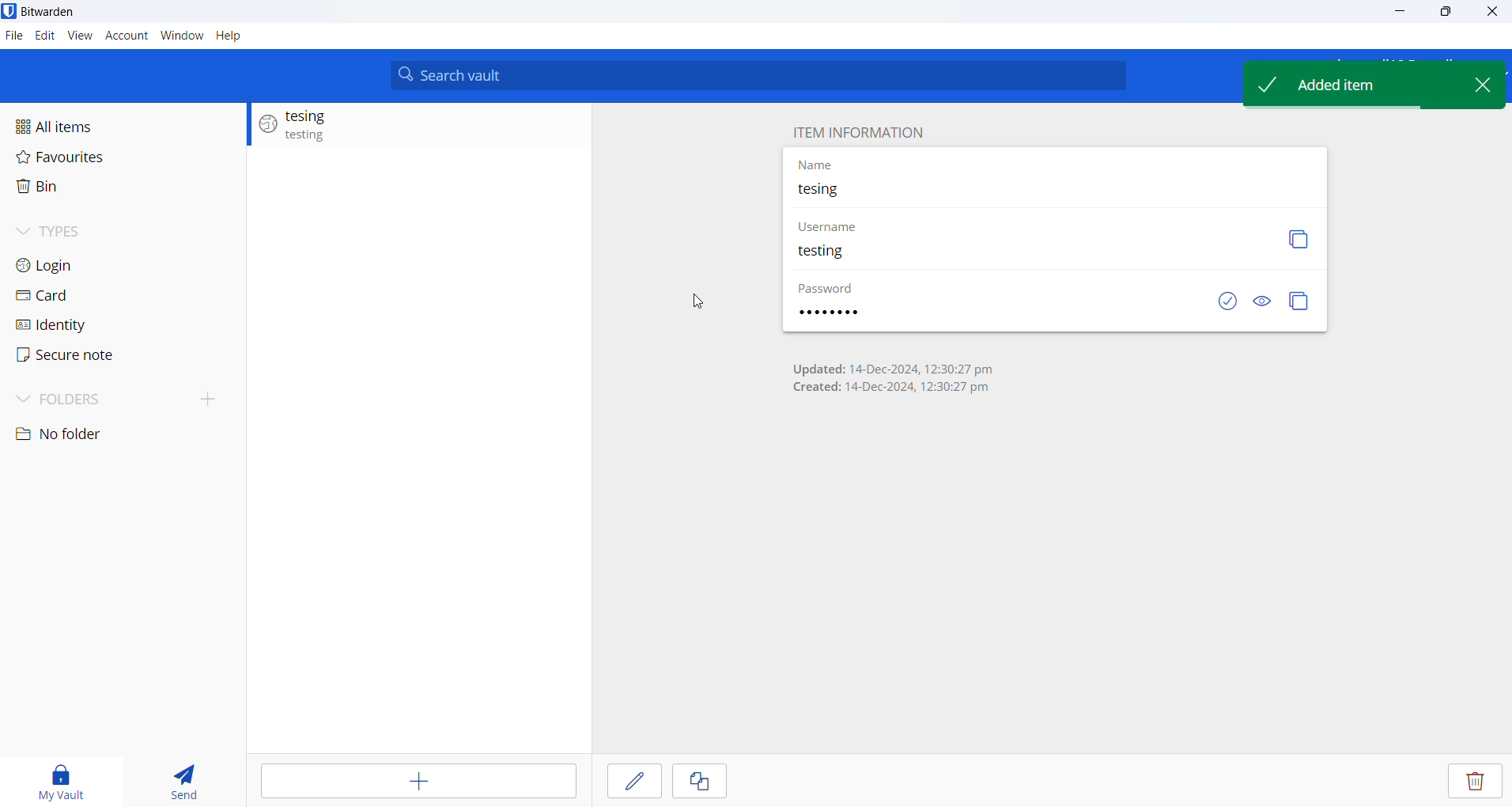  I want to click on favourites, so click(88, 162).